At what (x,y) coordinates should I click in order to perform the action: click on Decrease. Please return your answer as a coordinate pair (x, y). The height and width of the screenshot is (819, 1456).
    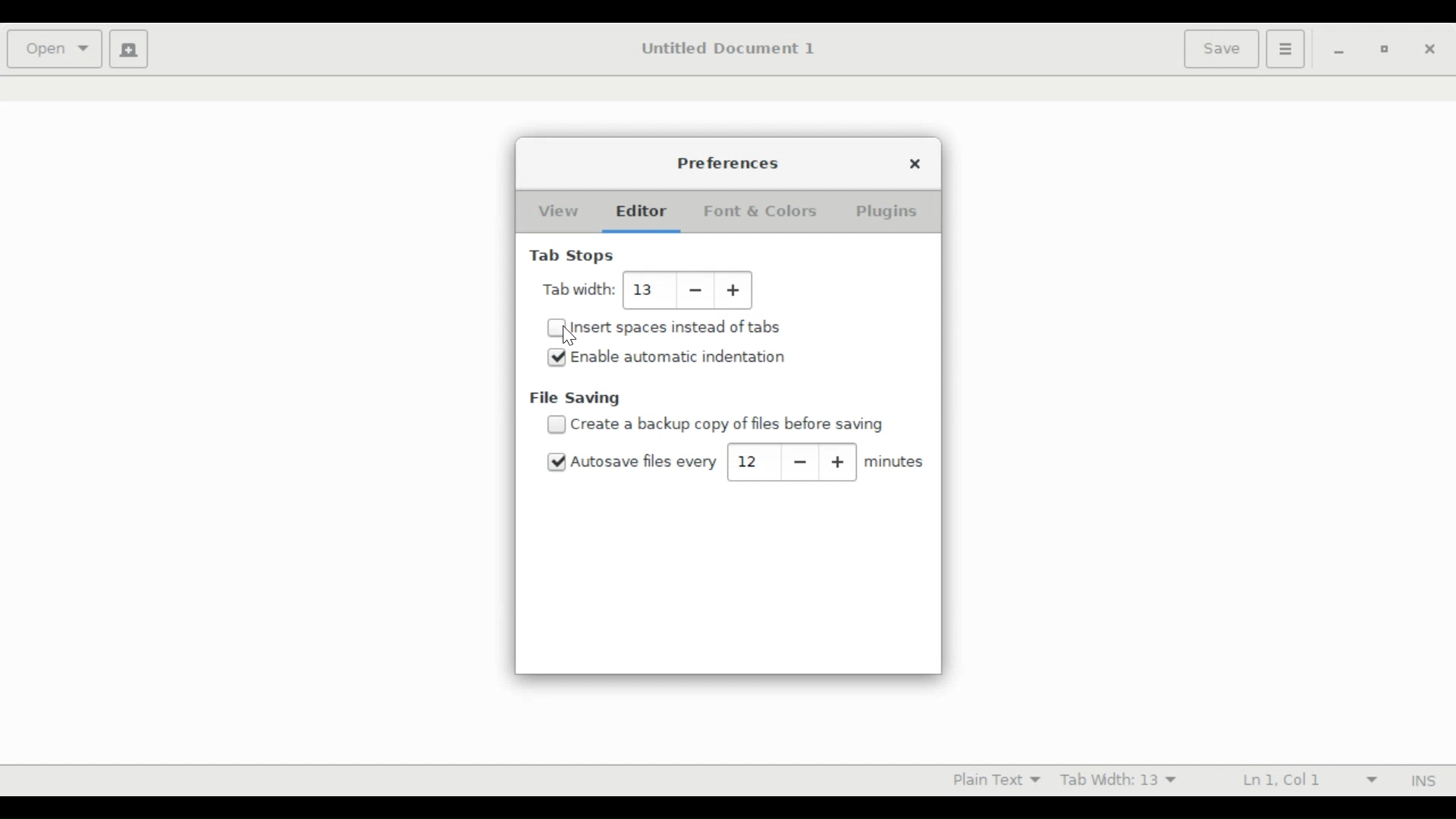
    Looking at the image, I should click on (696, 290).